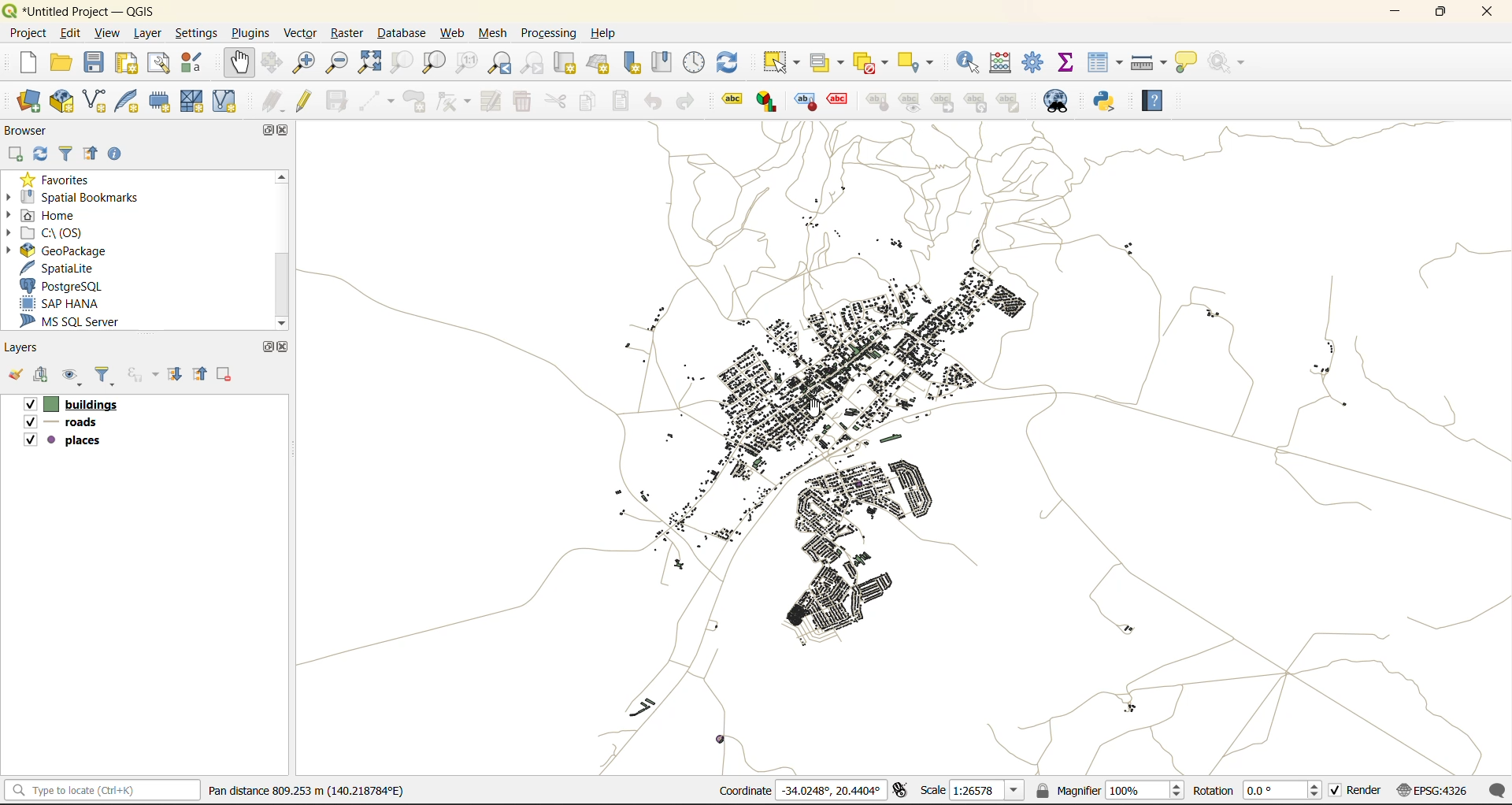 Image resolution: width=1512 pixels, height=805 pixels. What do you see at coordinates (376, 99) in the screenshot?
I see `digitize` at bounding box center [376, 99].